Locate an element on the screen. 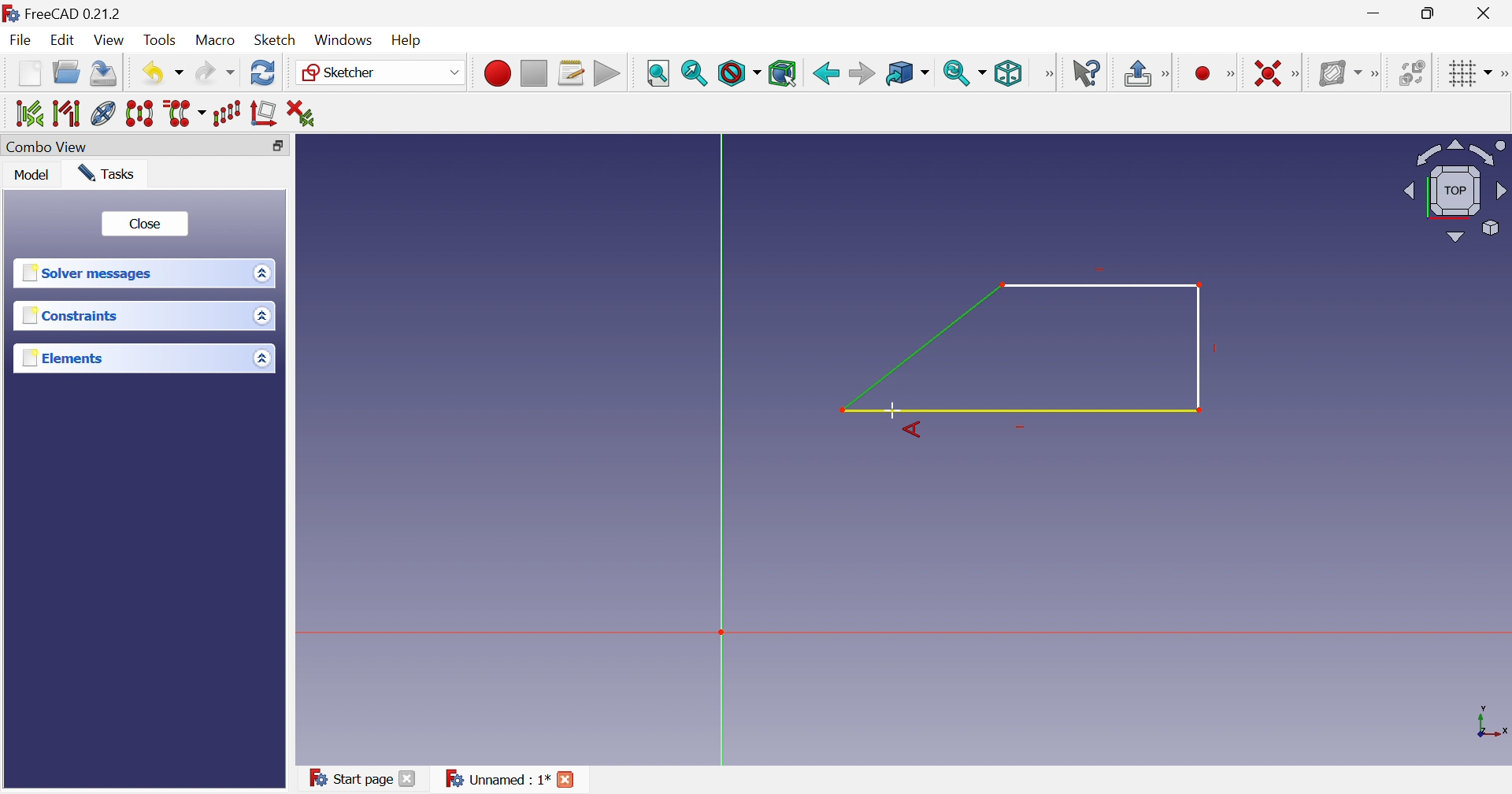 The height and width of the screenshot is (794, 1512). Edit is located at coordinates (64, 41).